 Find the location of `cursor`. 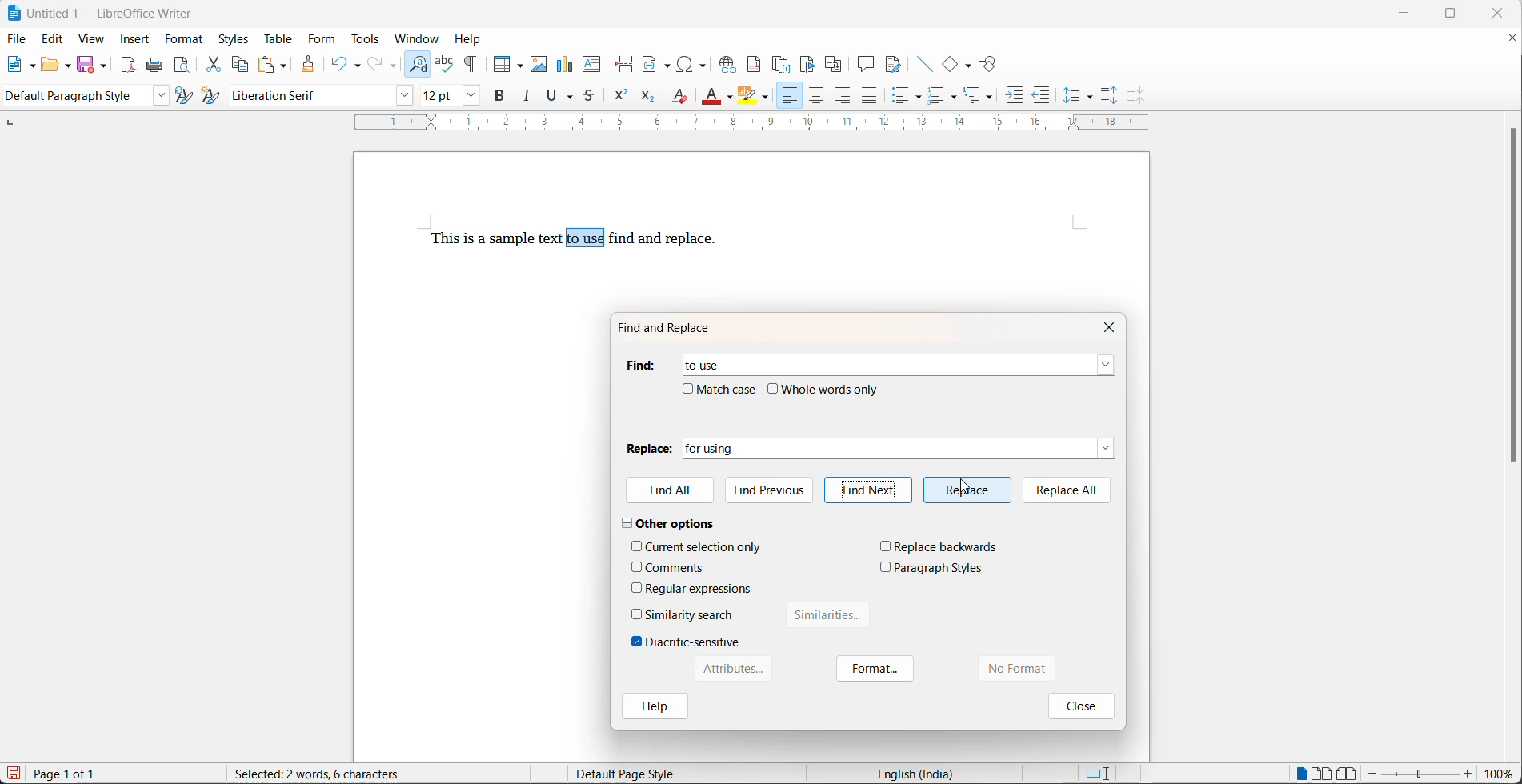

cursor is located at coordinates (965, 487).